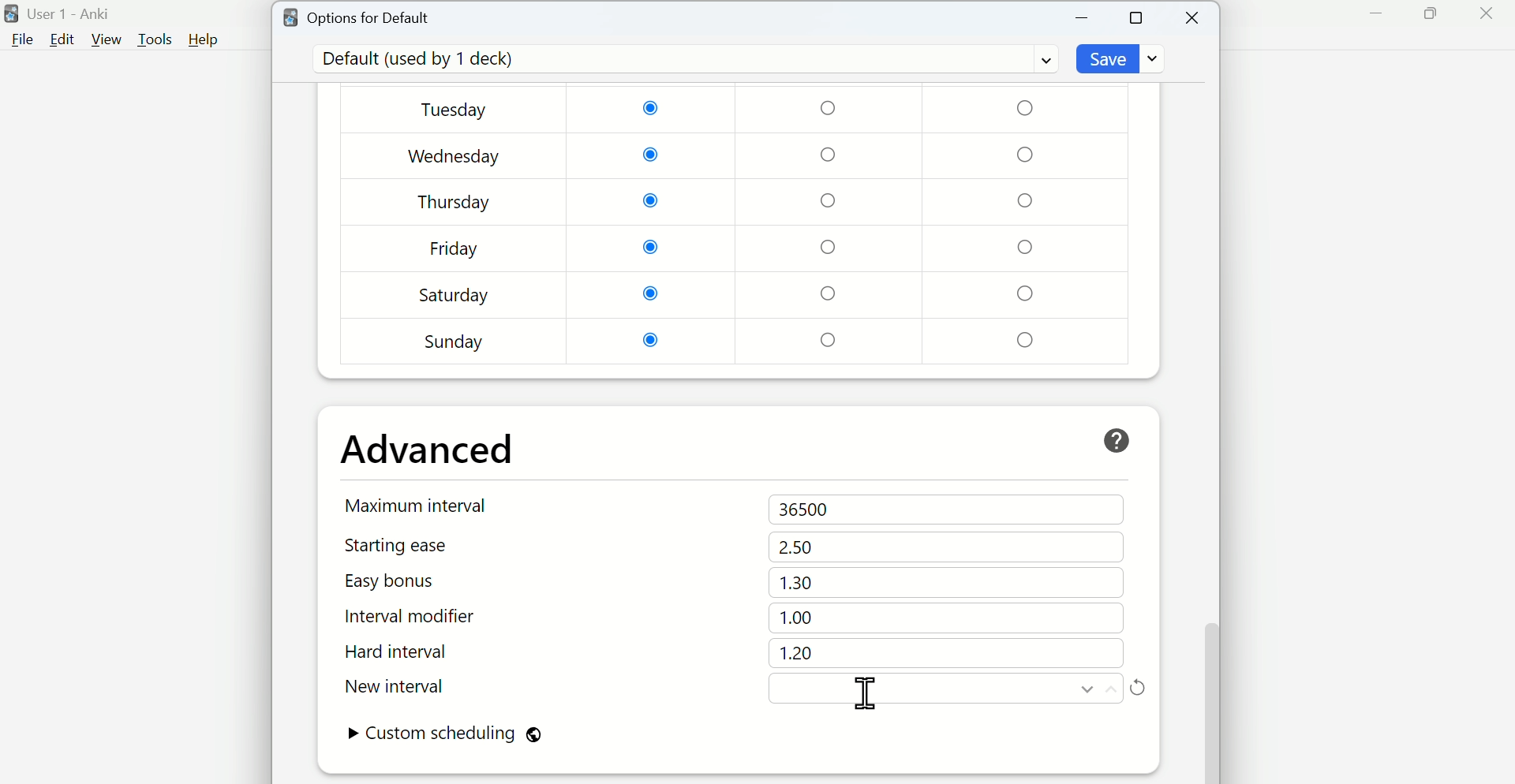 The height and width of the screenshot is (784, 1515). What do you see at coordinates (455, 342) in the screenshot?
I see `Sunday` at bounding box center [455, 342].